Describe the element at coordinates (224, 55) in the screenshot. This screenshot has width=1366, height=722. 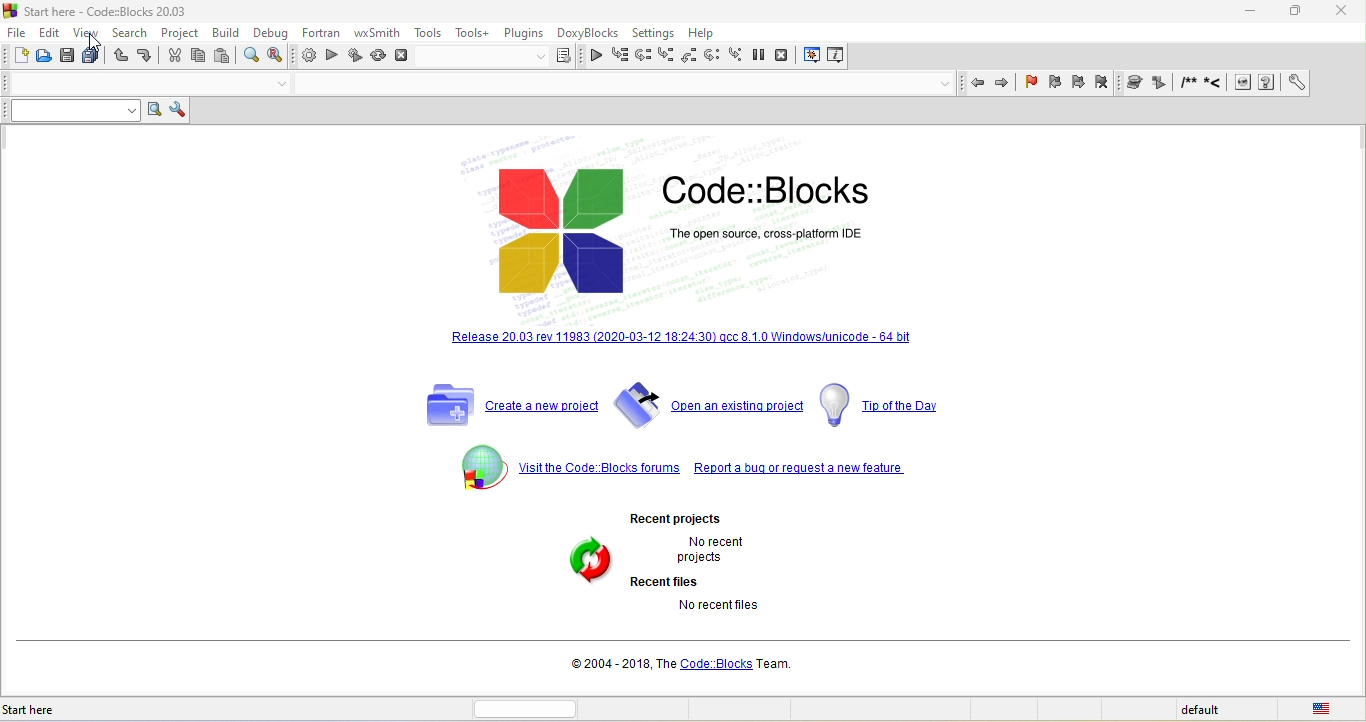
I see `paste` at that location.